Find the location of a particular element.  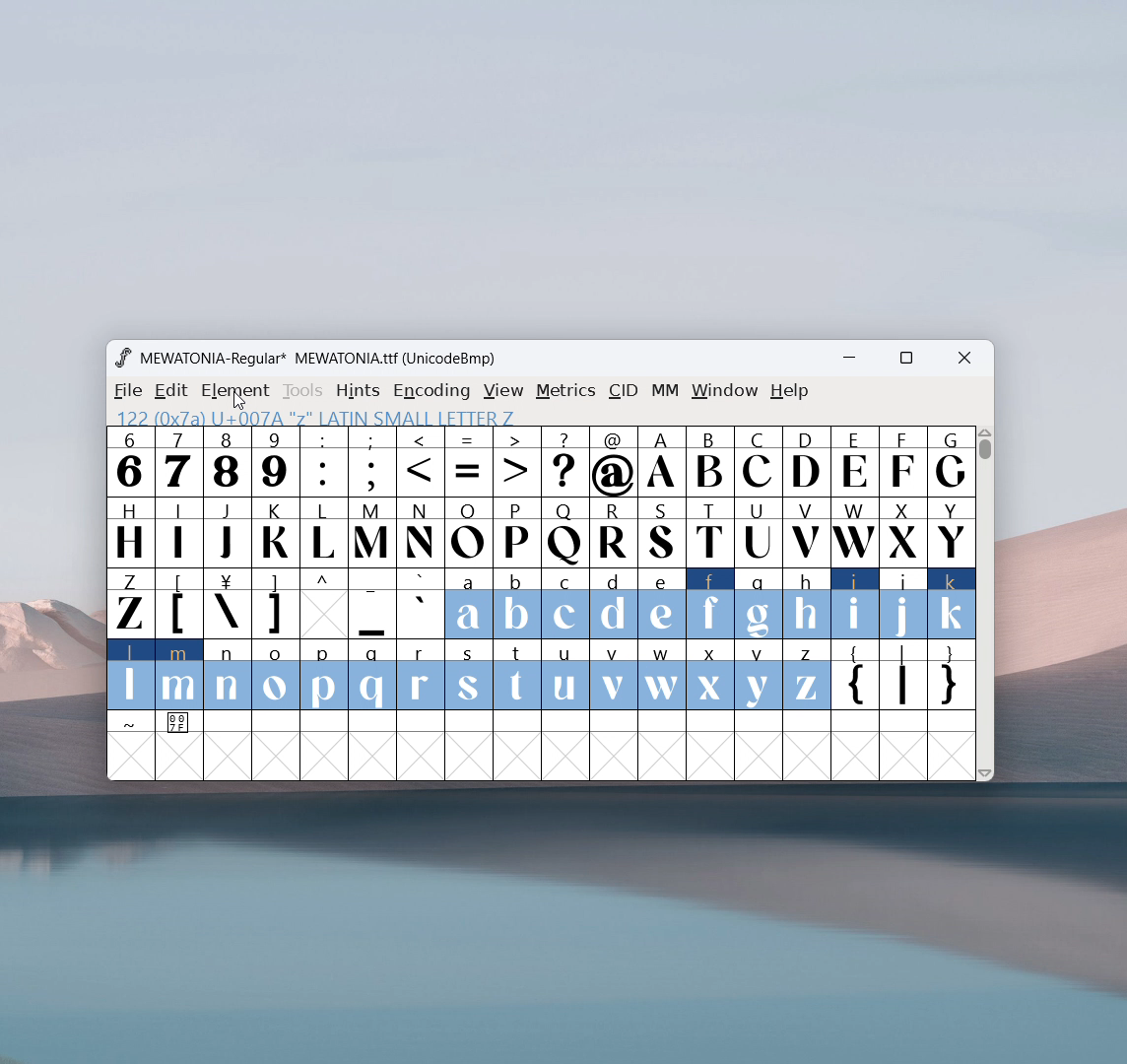

f is located at coordinates (711, 603).